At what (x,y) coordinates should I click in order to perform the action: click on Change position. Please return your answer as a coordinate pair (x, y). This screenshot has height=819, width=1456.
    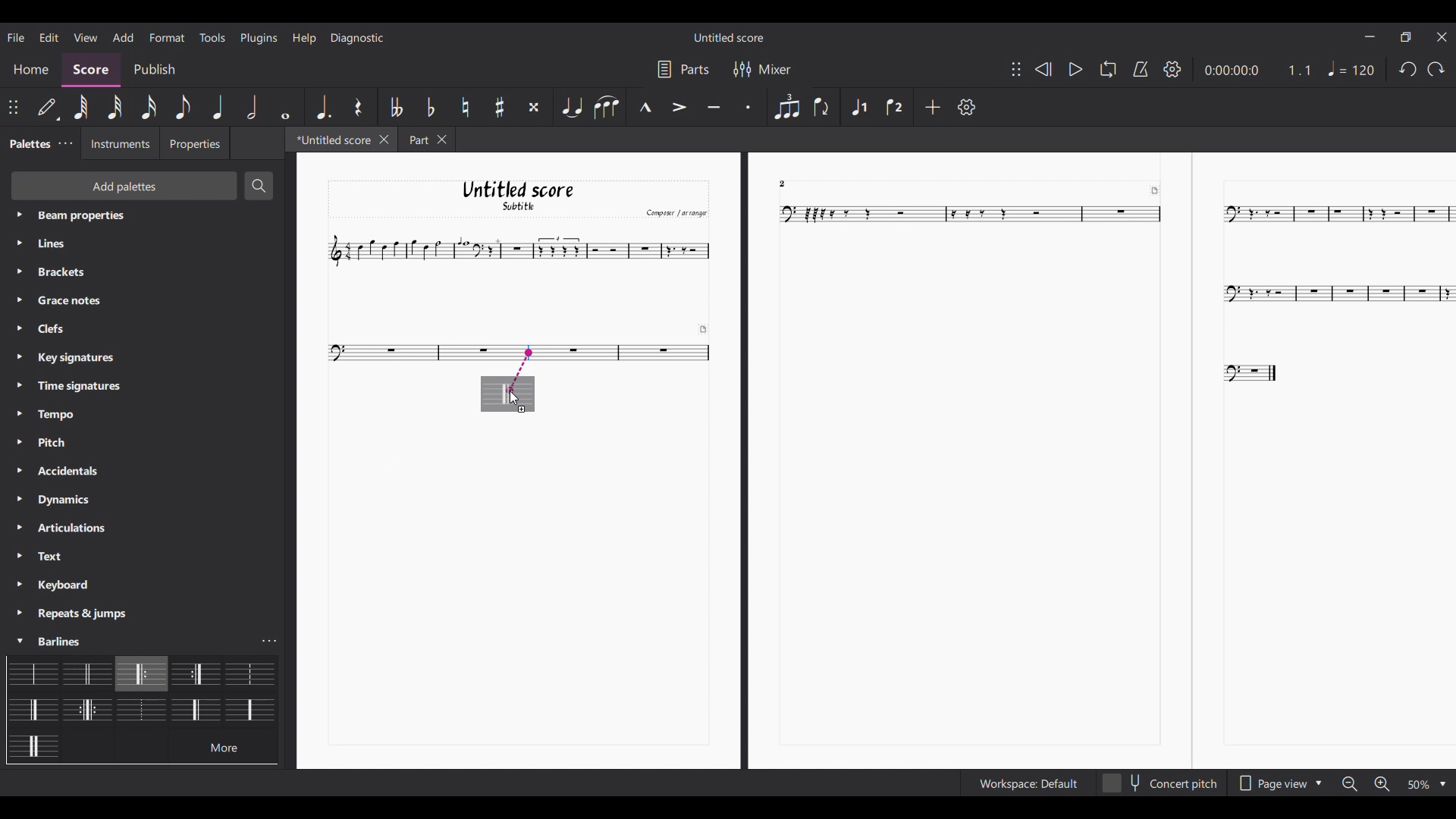
    Looking at the image, I should click on (1016, 69).